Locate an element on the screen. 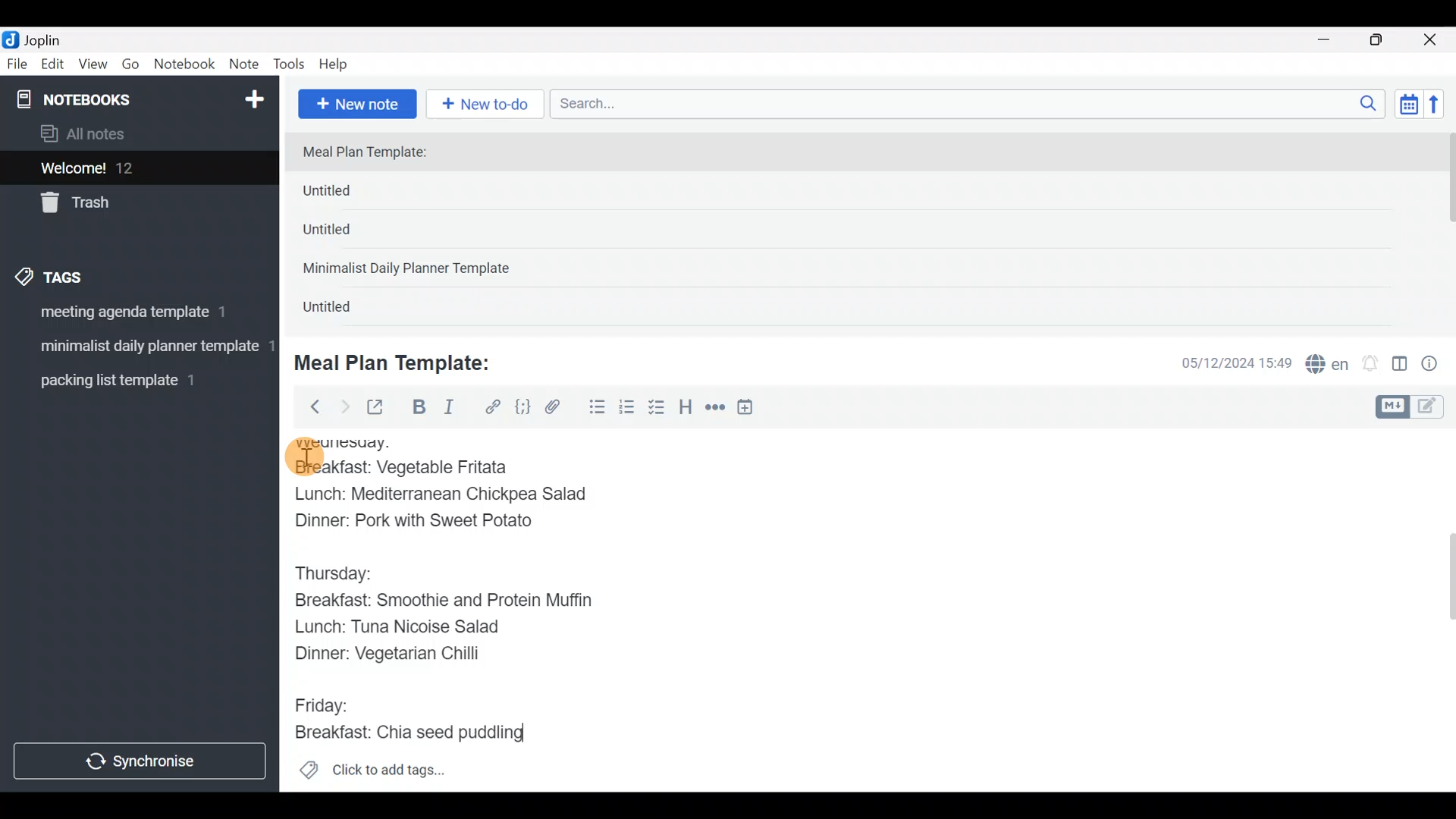 This screenshot has width=1456, height=819. Heading is located at coordinates (686, 409).